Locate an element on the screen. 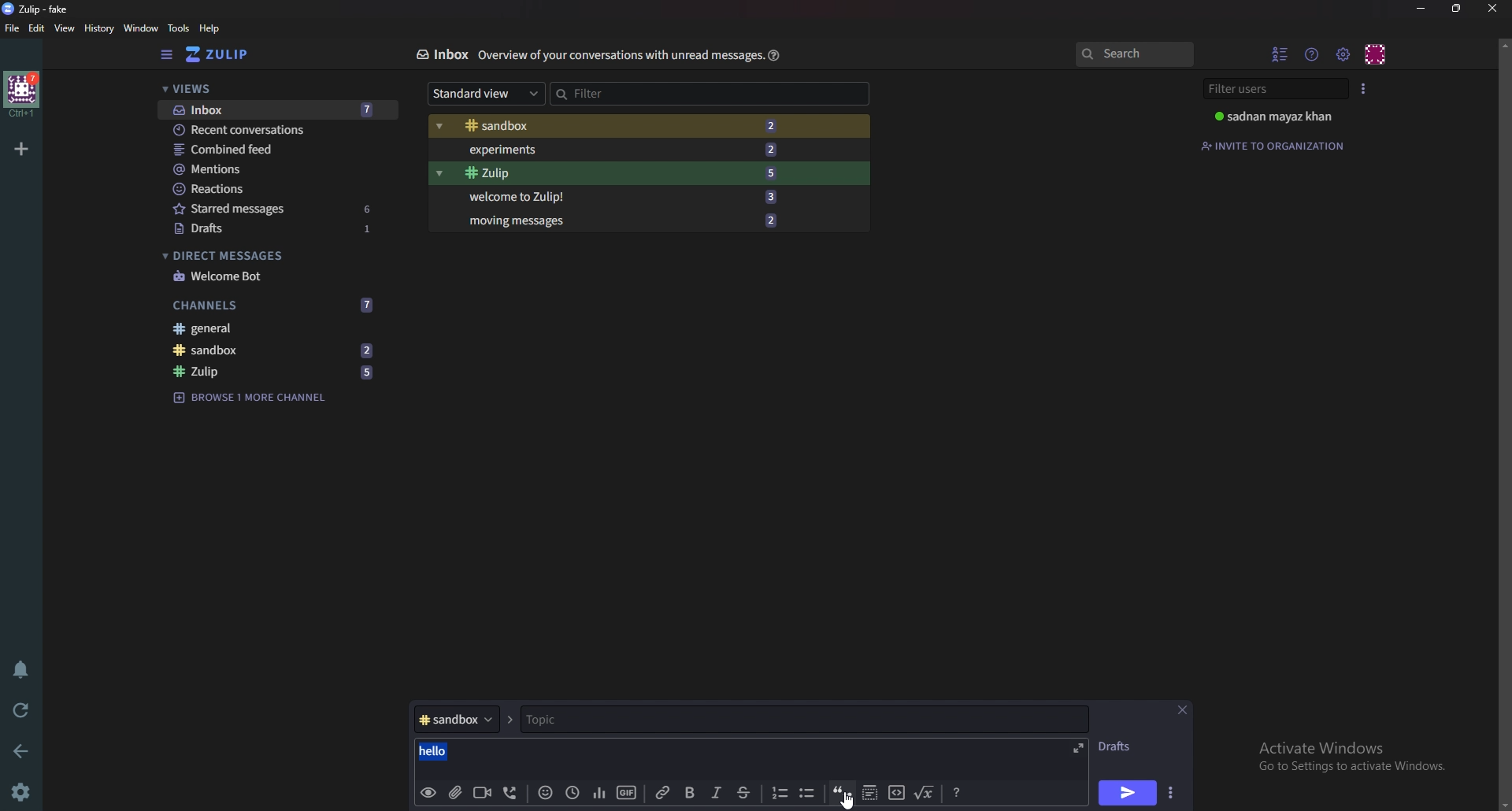 This screenshot has width=1512, height=811. sadnan mayaz khan is located at coordinates (1275, 118).